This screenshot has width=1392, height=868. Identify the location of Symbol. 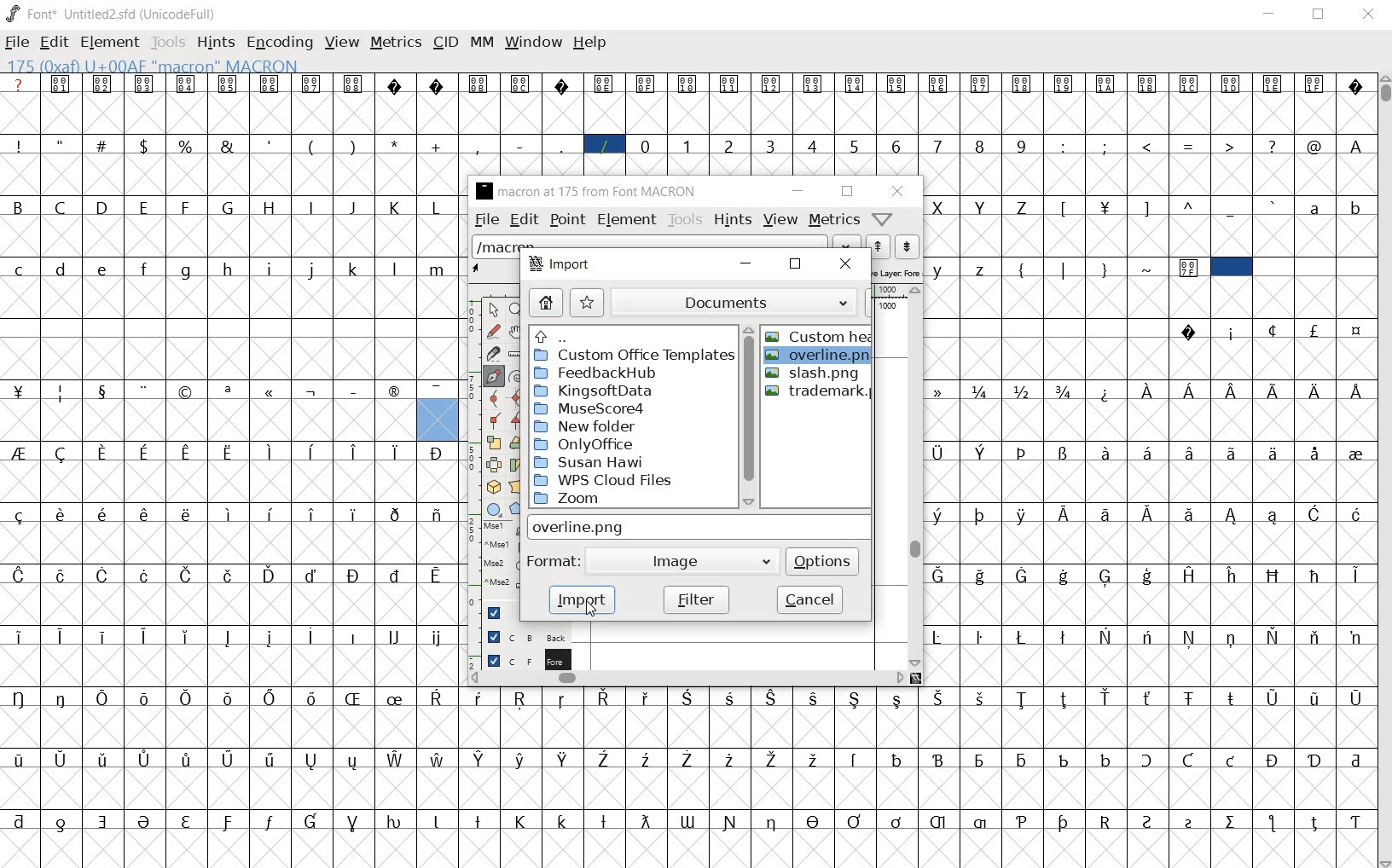
(230, 638).